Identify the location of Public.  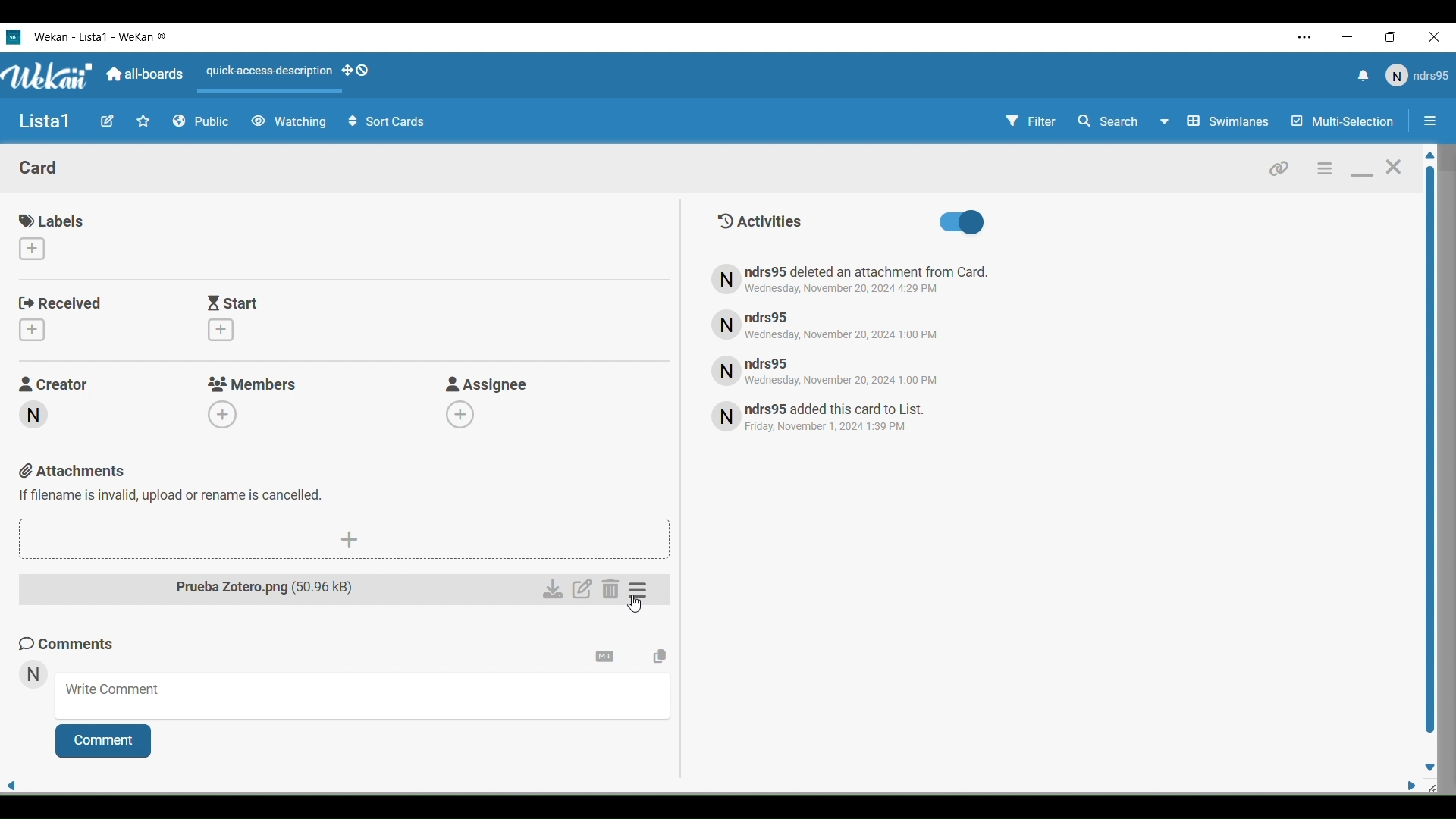
(202, 122).